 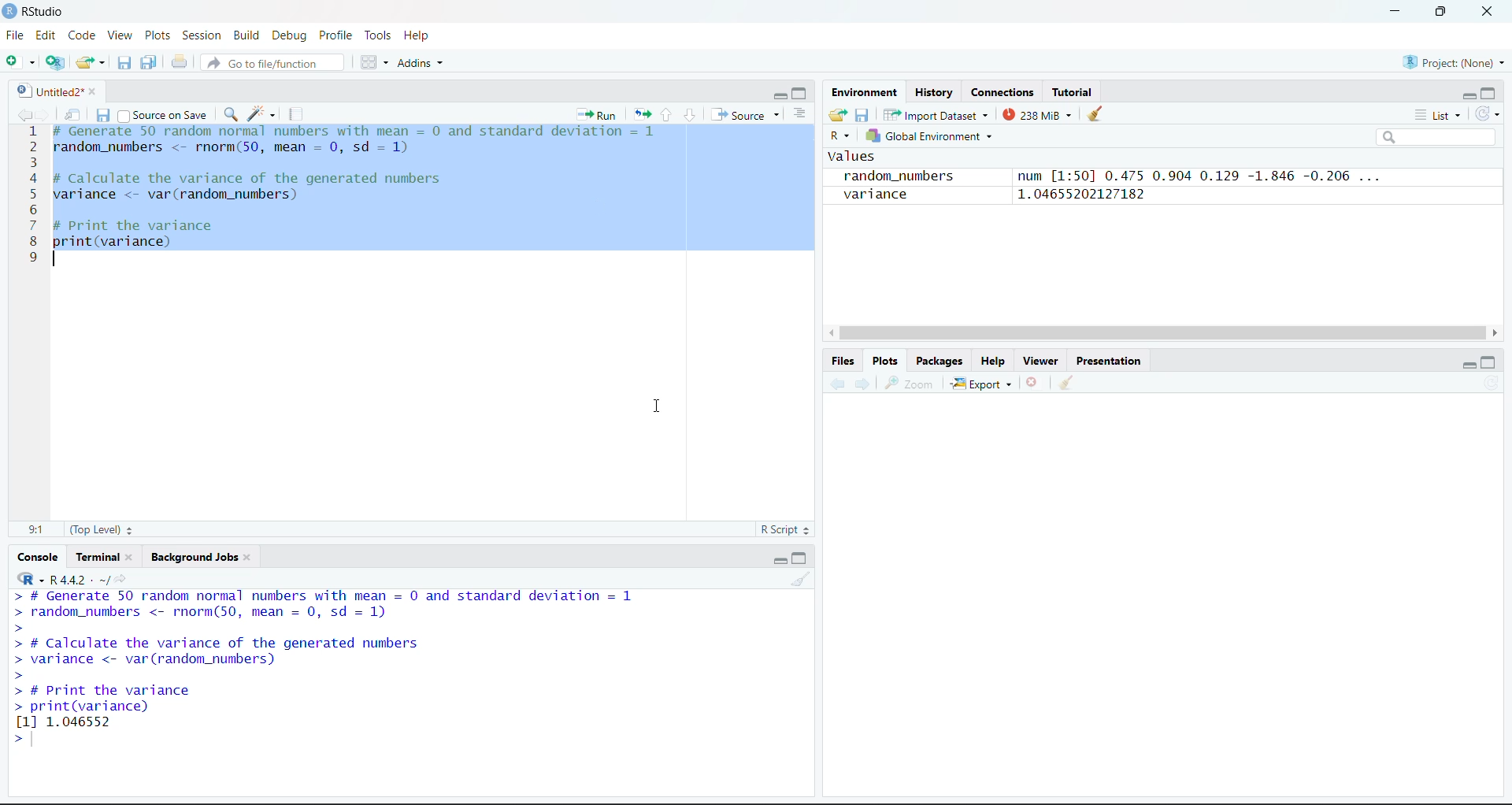 I want to click on Untitled 2, so click(x=47, y=91).